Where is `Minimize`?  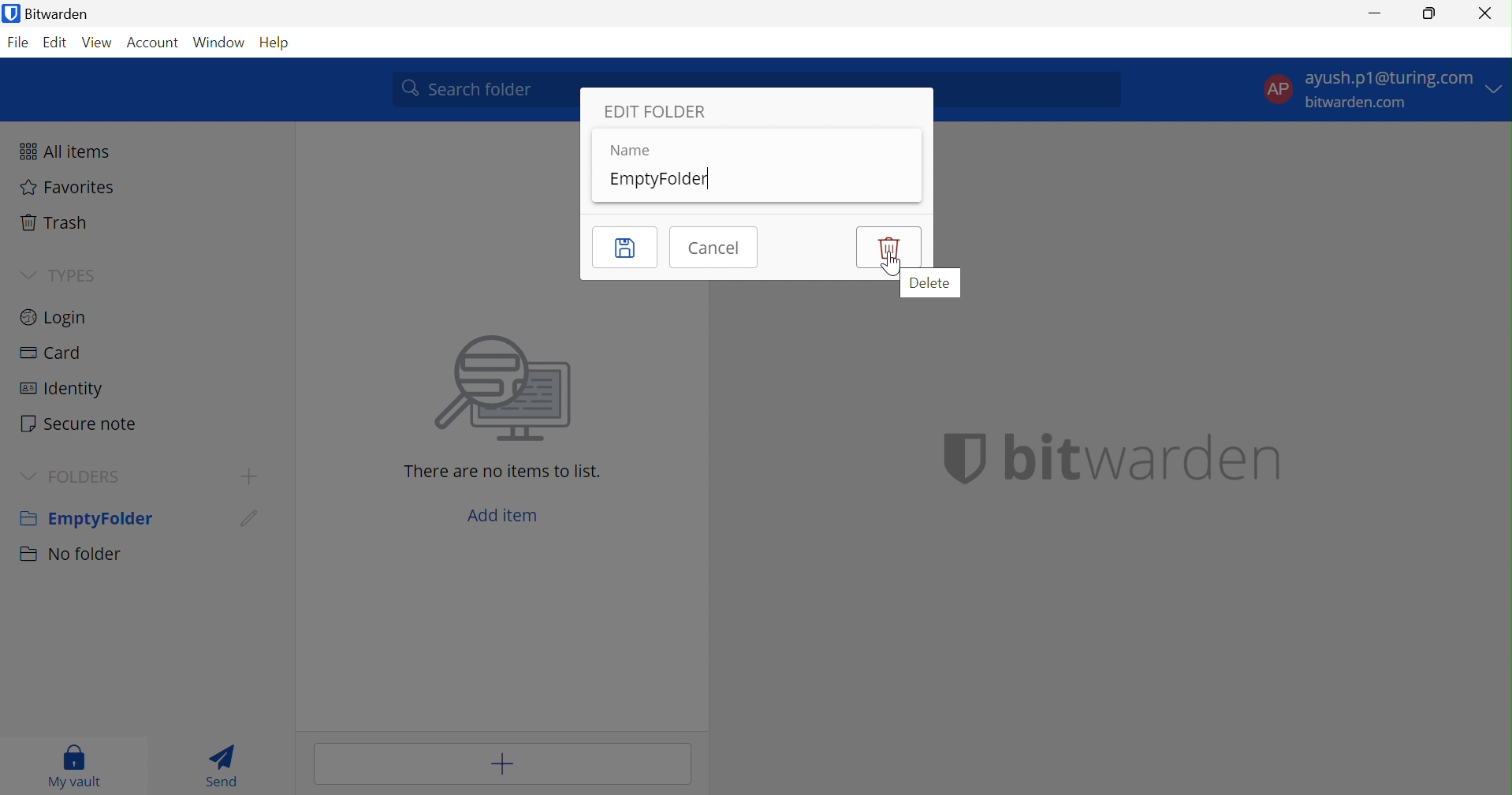 Minimize is located at coordinates (1372, 13).